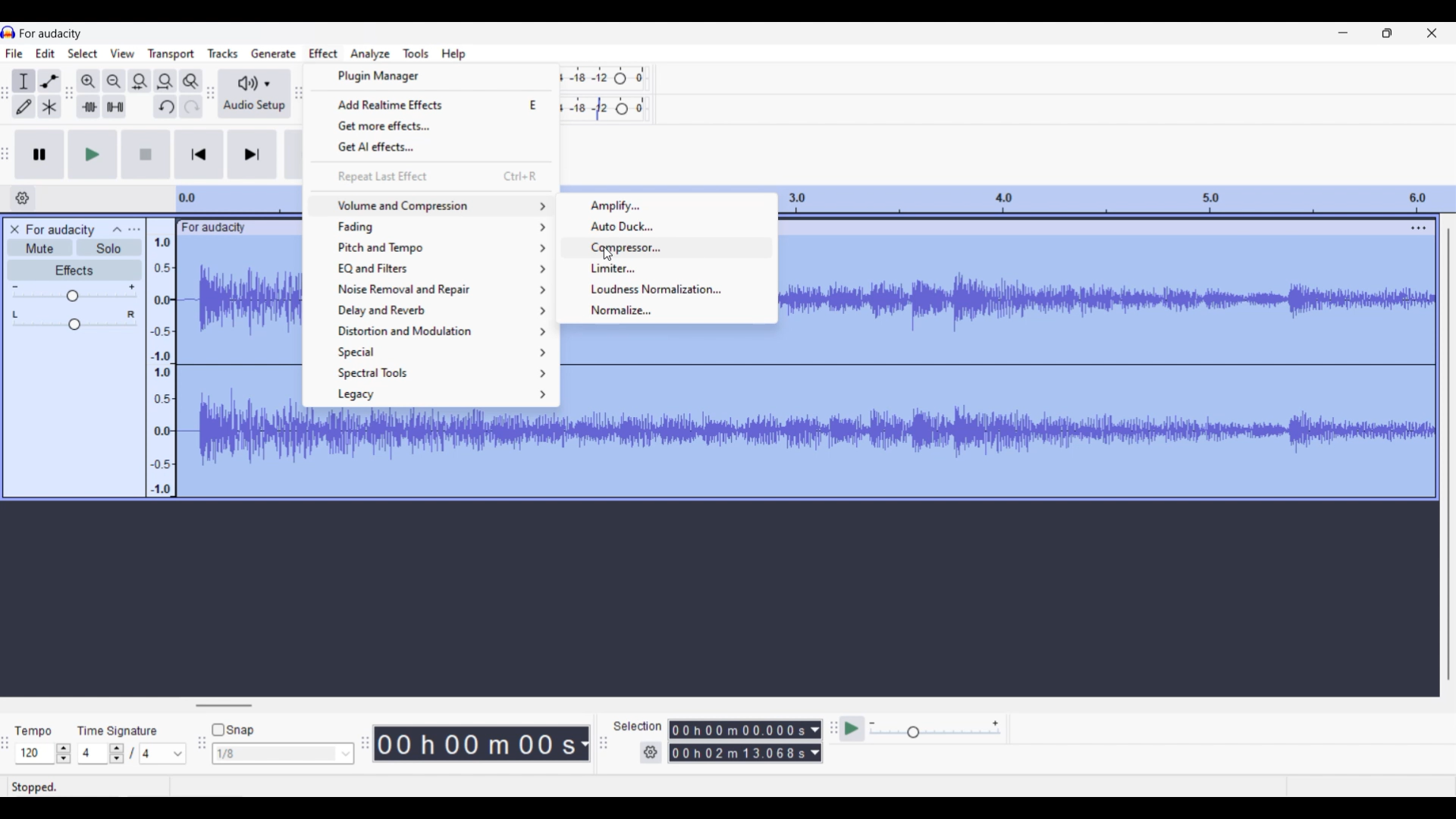 Image resolution: width=1456 pixels, height=819 pixels. Describe the element at coordinates (43, 753) in the screenshot. I see `Tempo settings` at that location.